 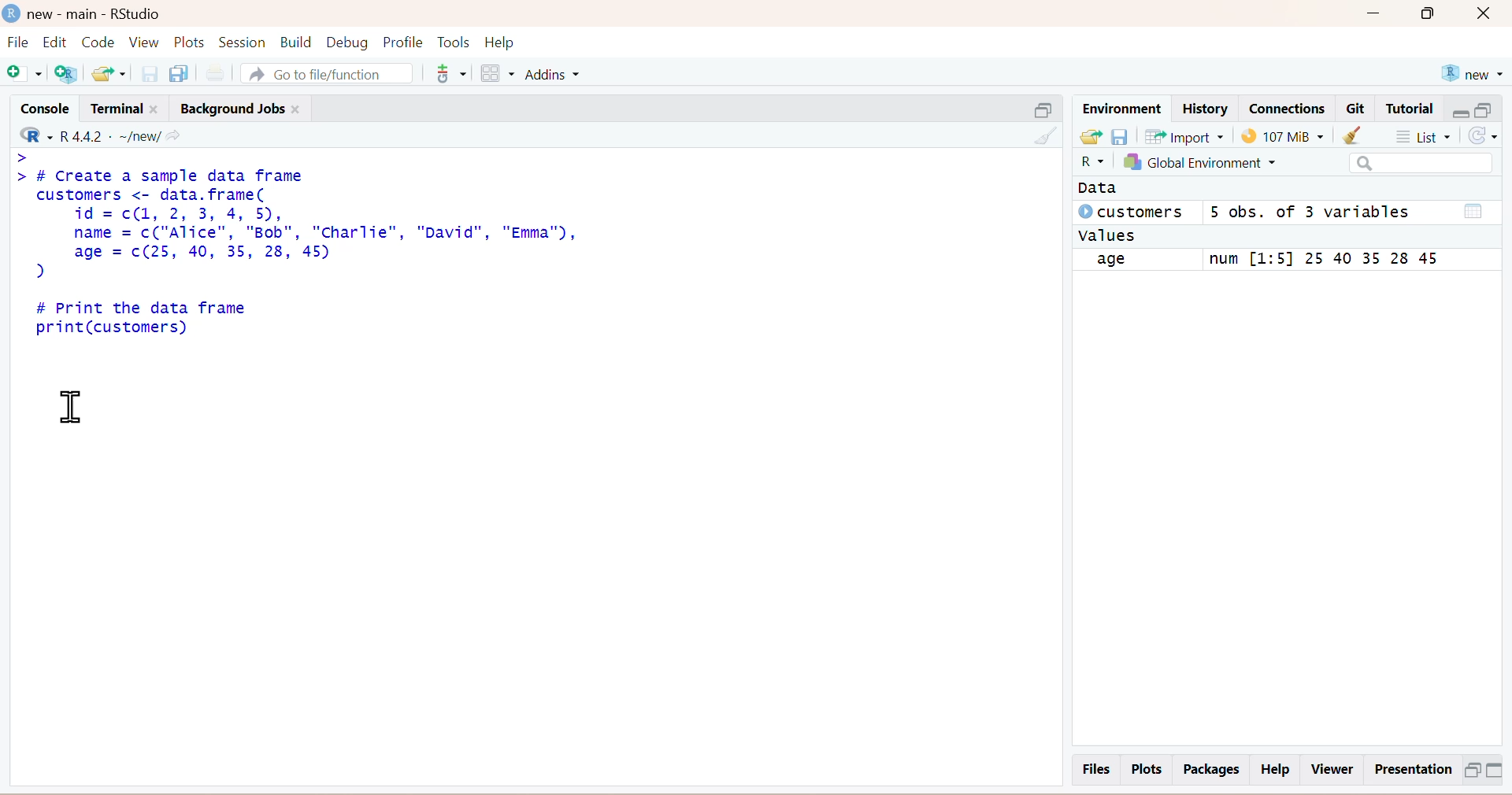 What do you see at coordinates (1121, 107) in the screenshot?
I see ` Environment` at bounding box center [1121, 107].